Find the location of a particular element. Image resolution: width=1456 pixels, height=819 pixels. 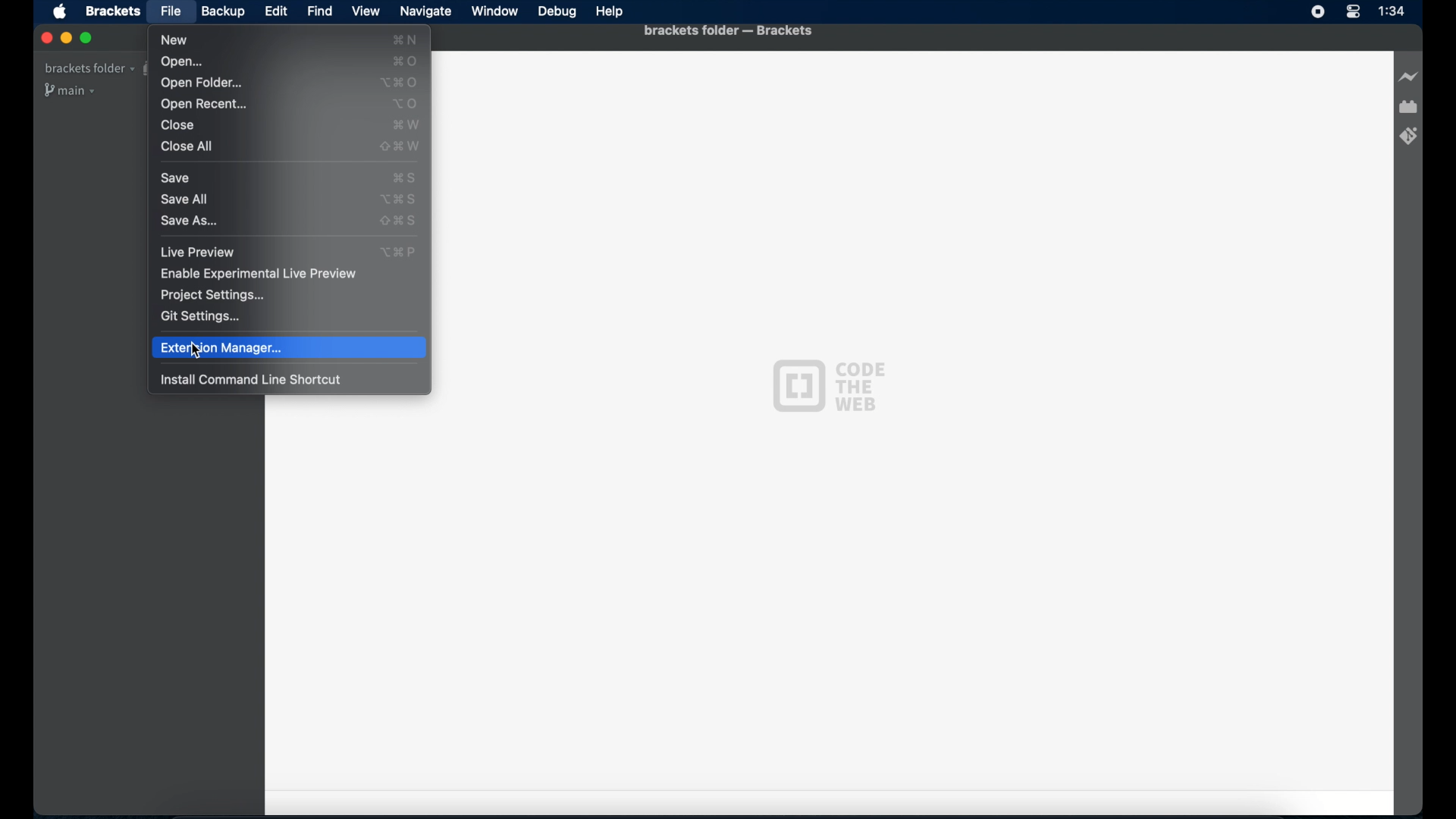

Live preview is located at coordinates (1408, 77).